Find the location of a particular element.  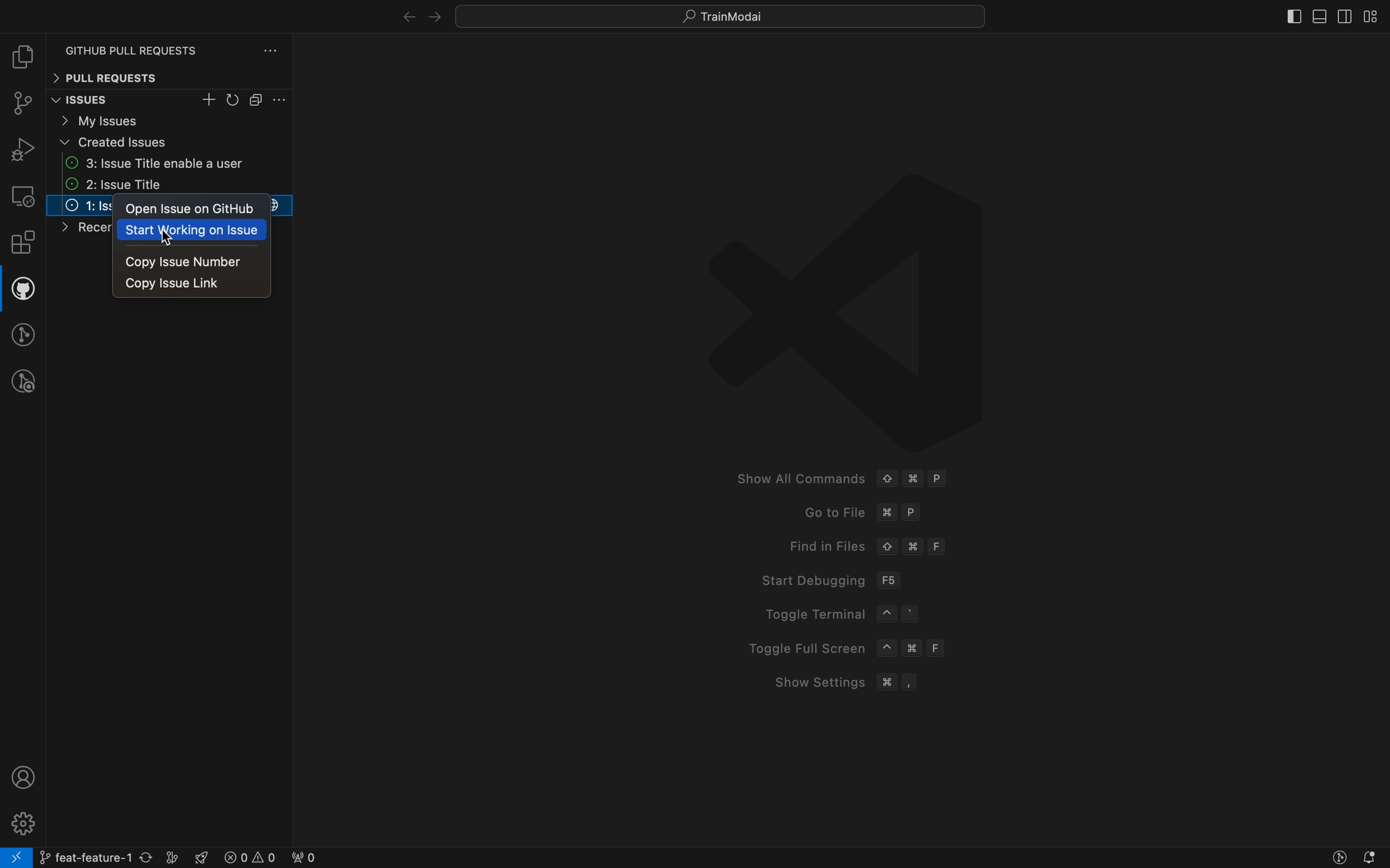

settings is located at coordinates (21, 821).